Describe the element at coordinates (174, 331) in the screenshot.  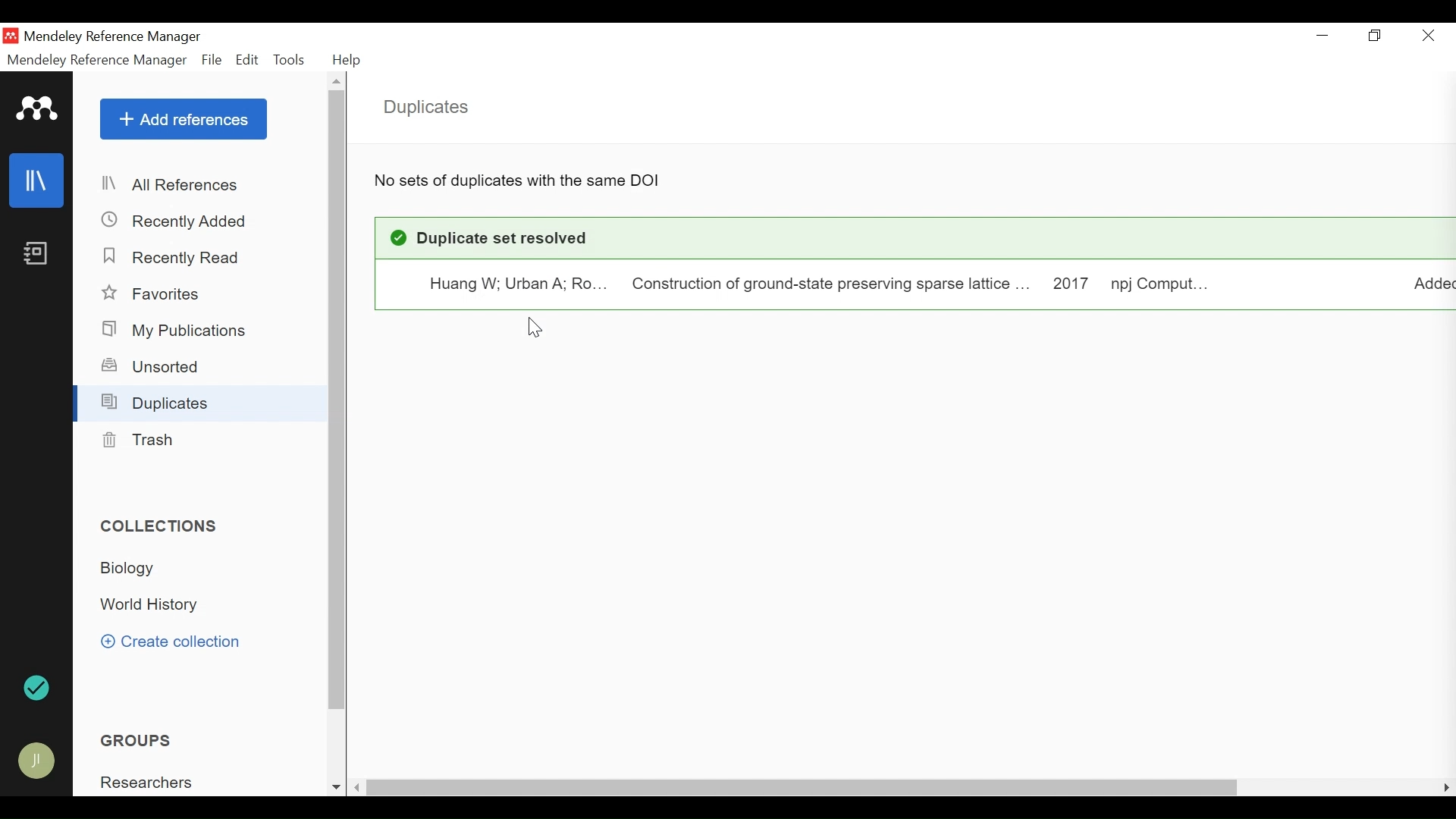
I see `My Publications` at that location.